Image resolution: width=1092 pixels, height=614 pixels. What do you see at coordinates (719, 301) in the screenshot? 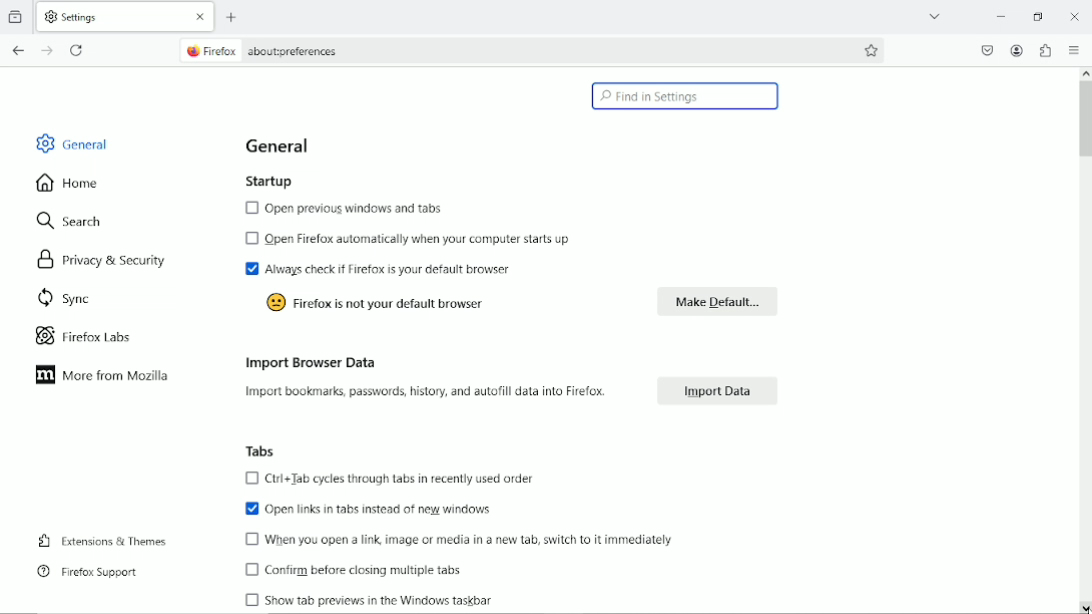
I see `Make default` at bounding box center [719, 301].